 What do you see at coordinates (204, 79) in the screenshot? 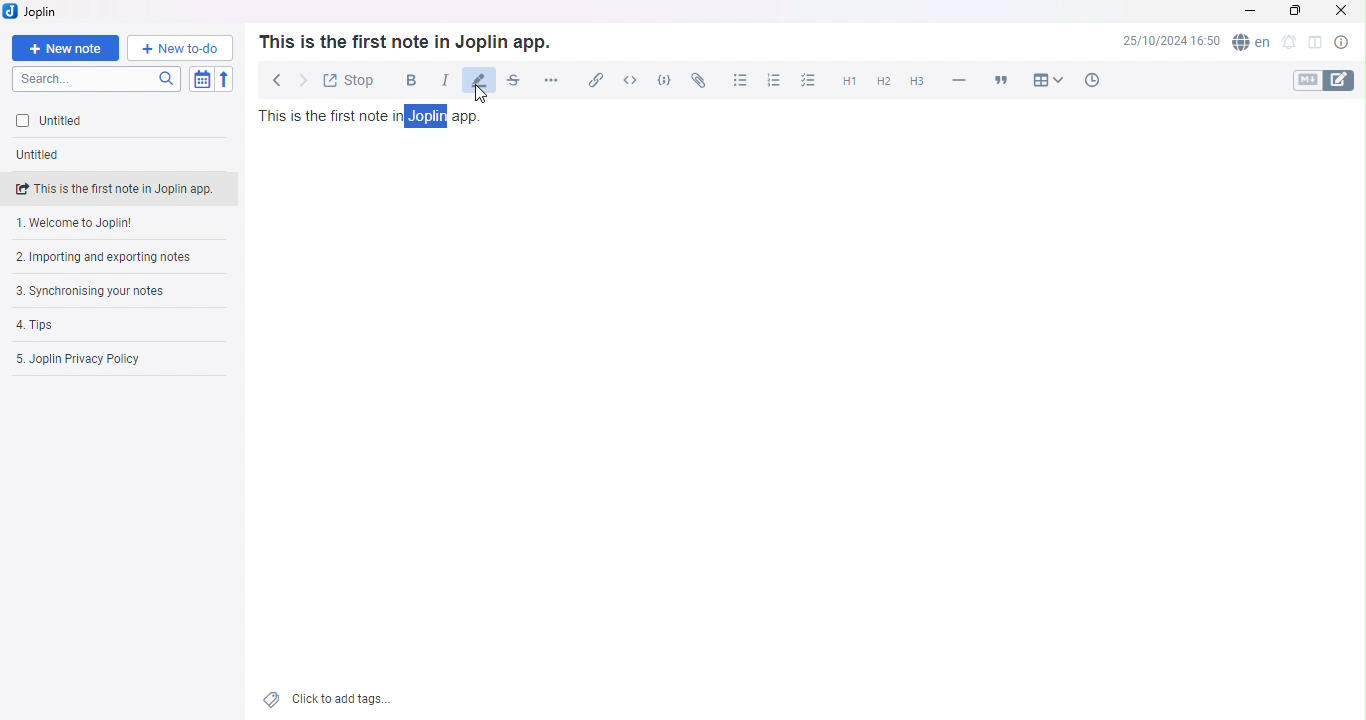
I see `Toggle sort order field` at bounding box center [204, 79].